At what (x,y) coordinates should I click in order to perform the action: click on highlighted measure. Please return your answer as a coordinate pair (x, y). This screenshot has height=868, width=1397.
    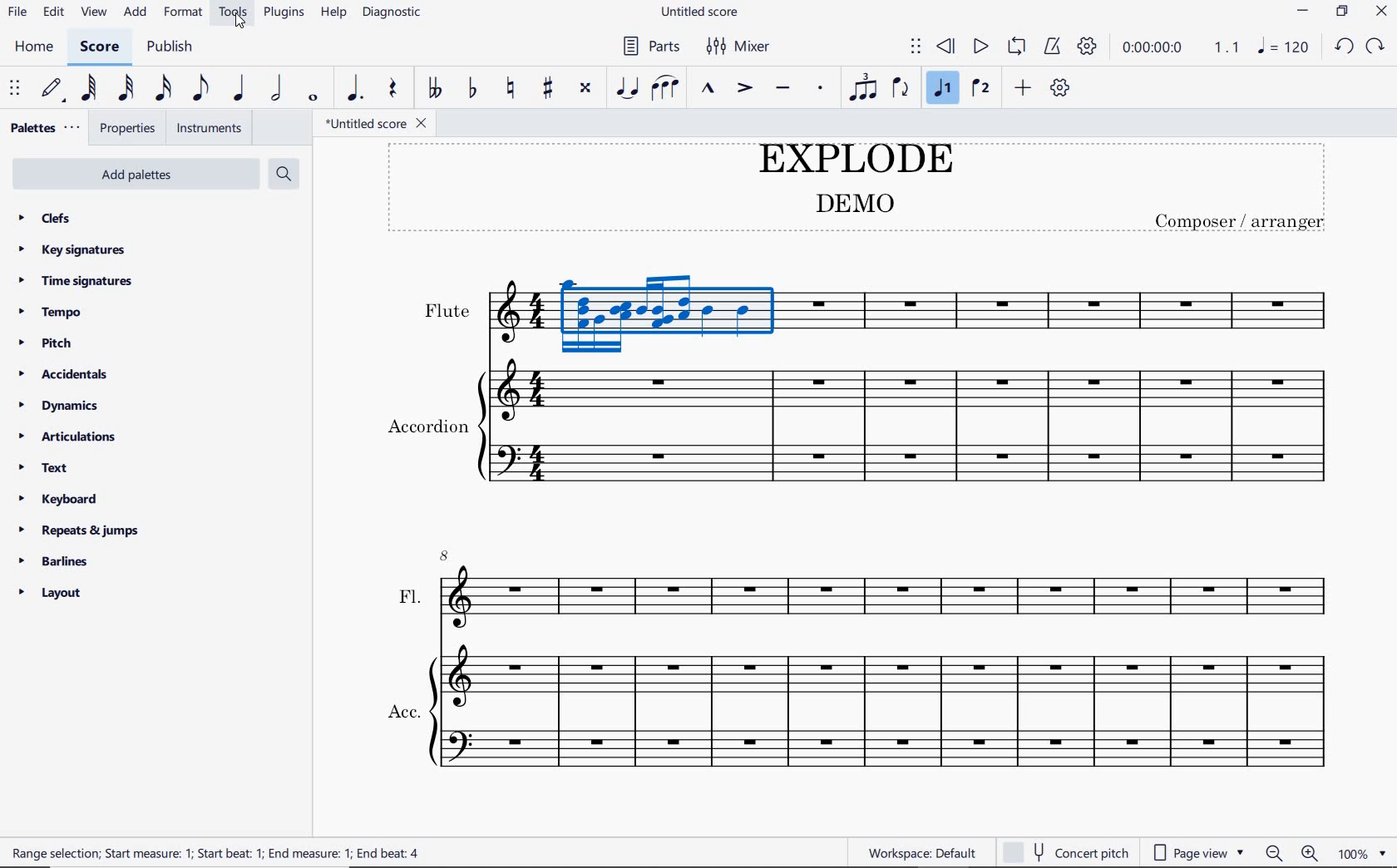
    Looking at the image, I should click on (669, 315).